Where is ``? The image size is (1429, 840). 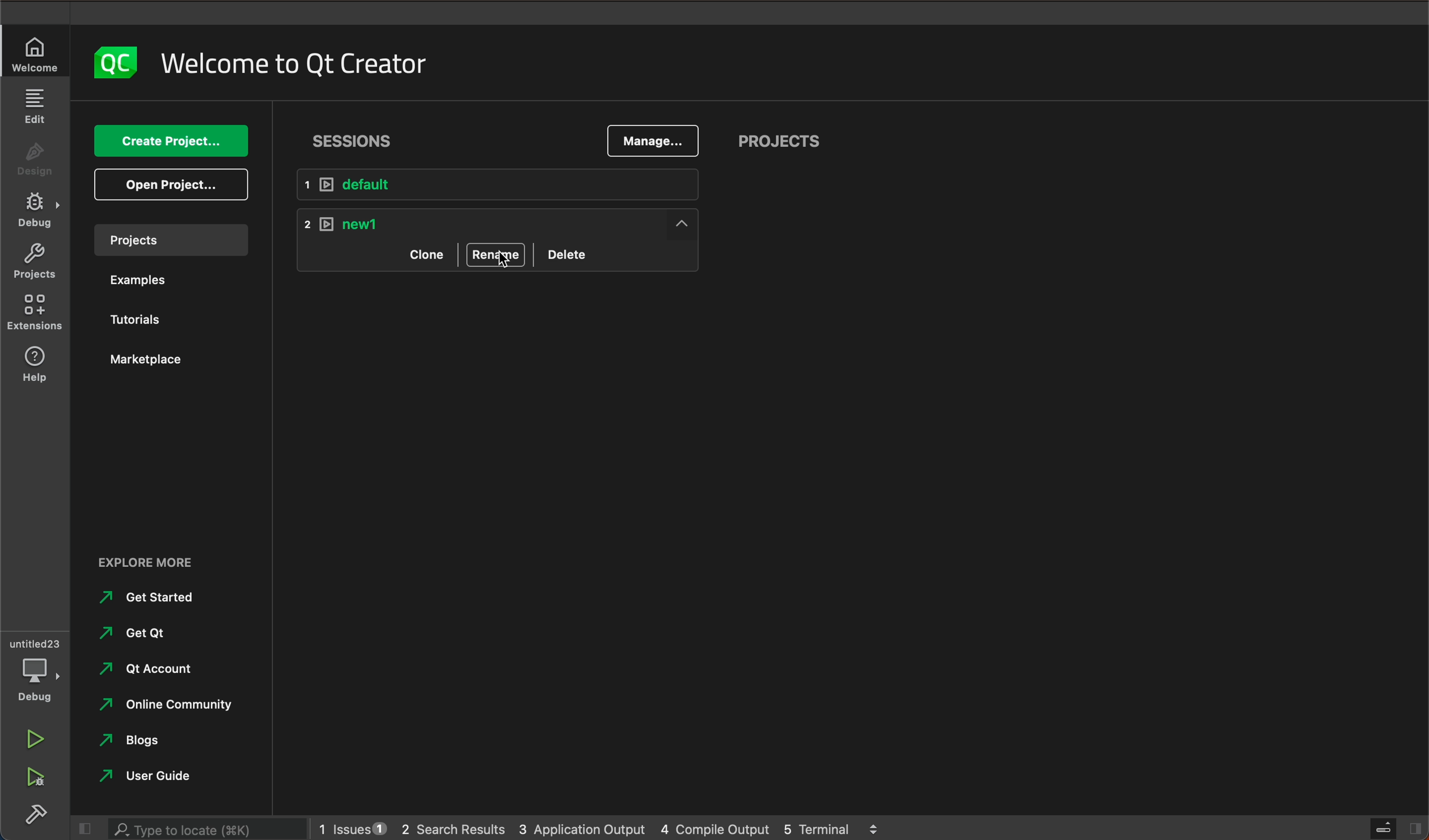
 is located at coordinates (36, 817).